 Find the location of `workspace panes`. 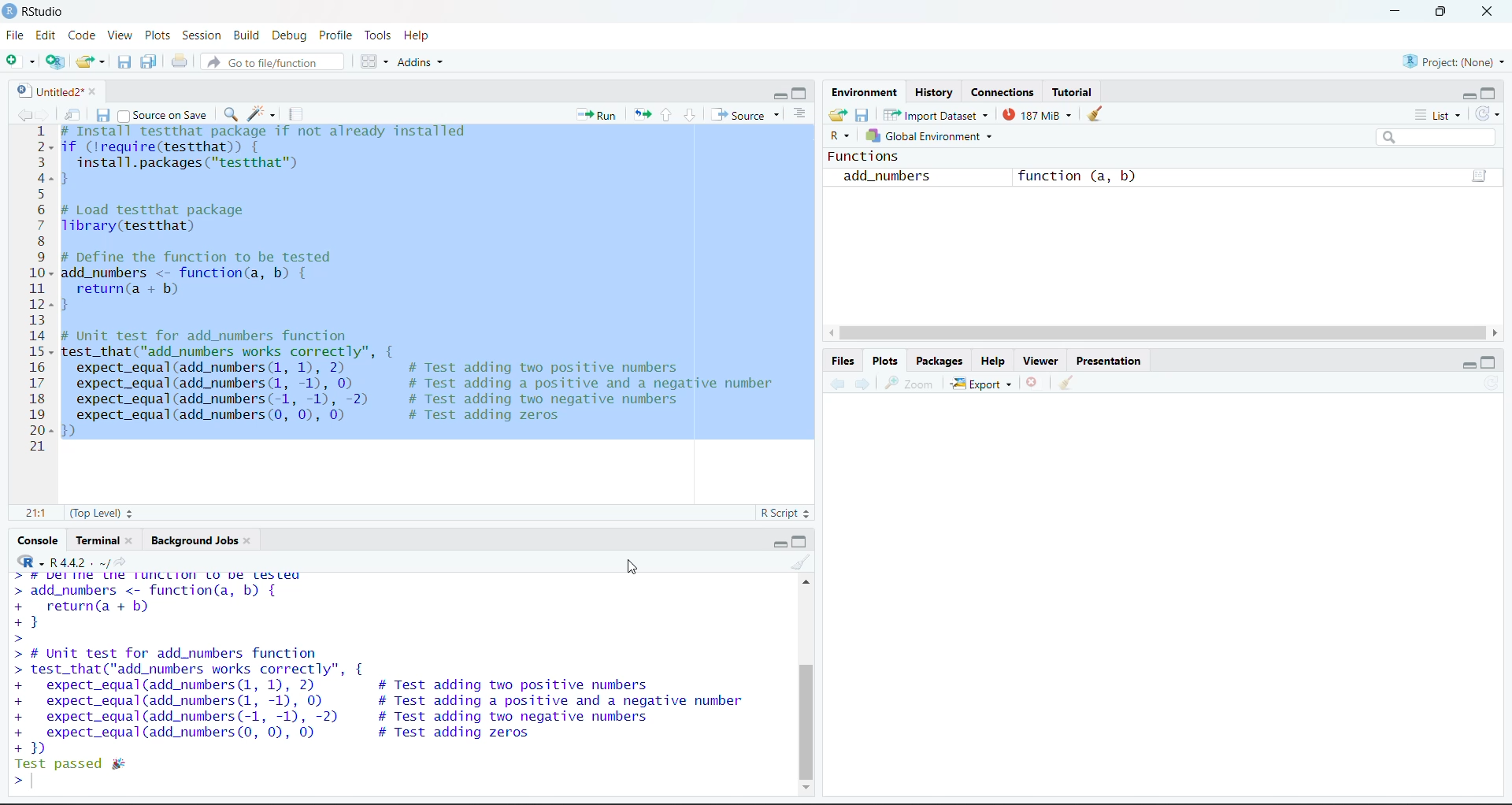

workspace panes is located at coordinates (374, 62).